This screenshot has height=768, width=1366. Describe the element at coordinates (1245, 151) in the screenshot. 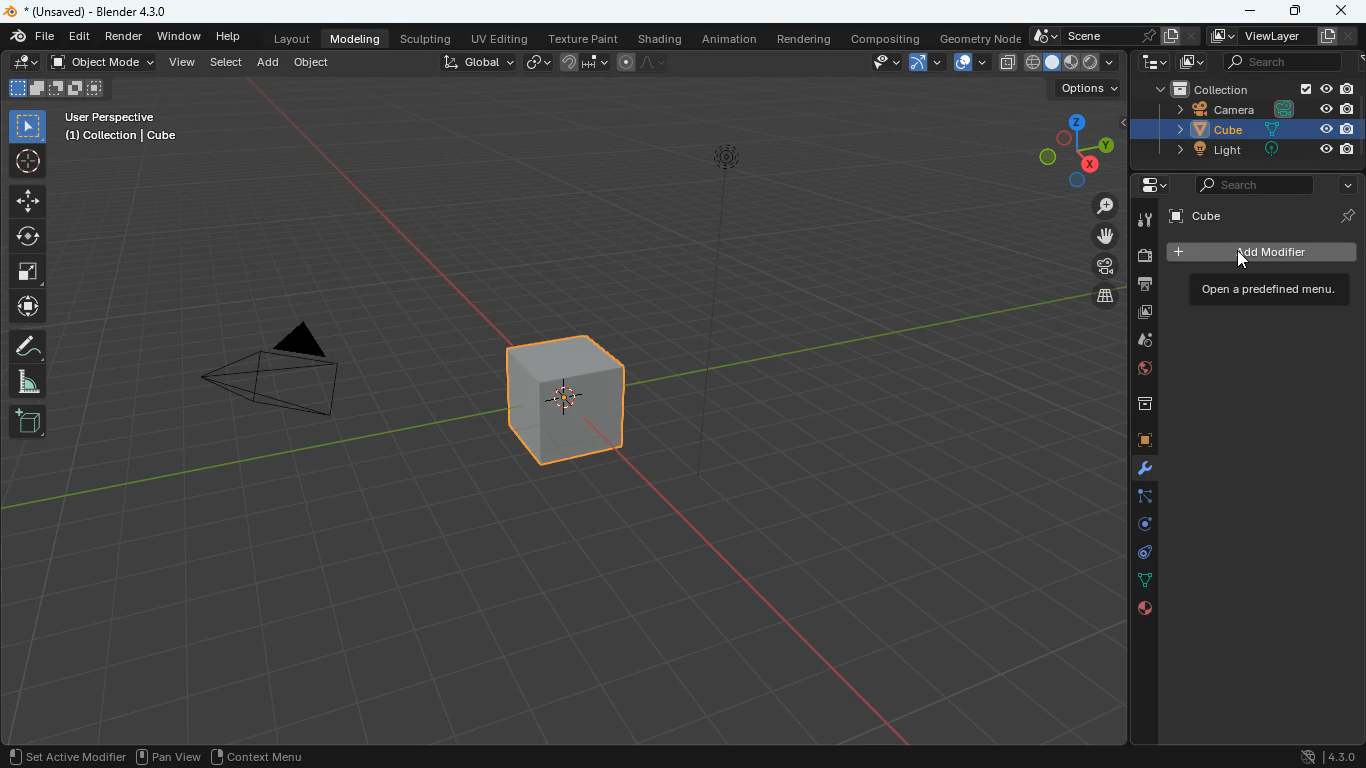

I see `light` at that location.